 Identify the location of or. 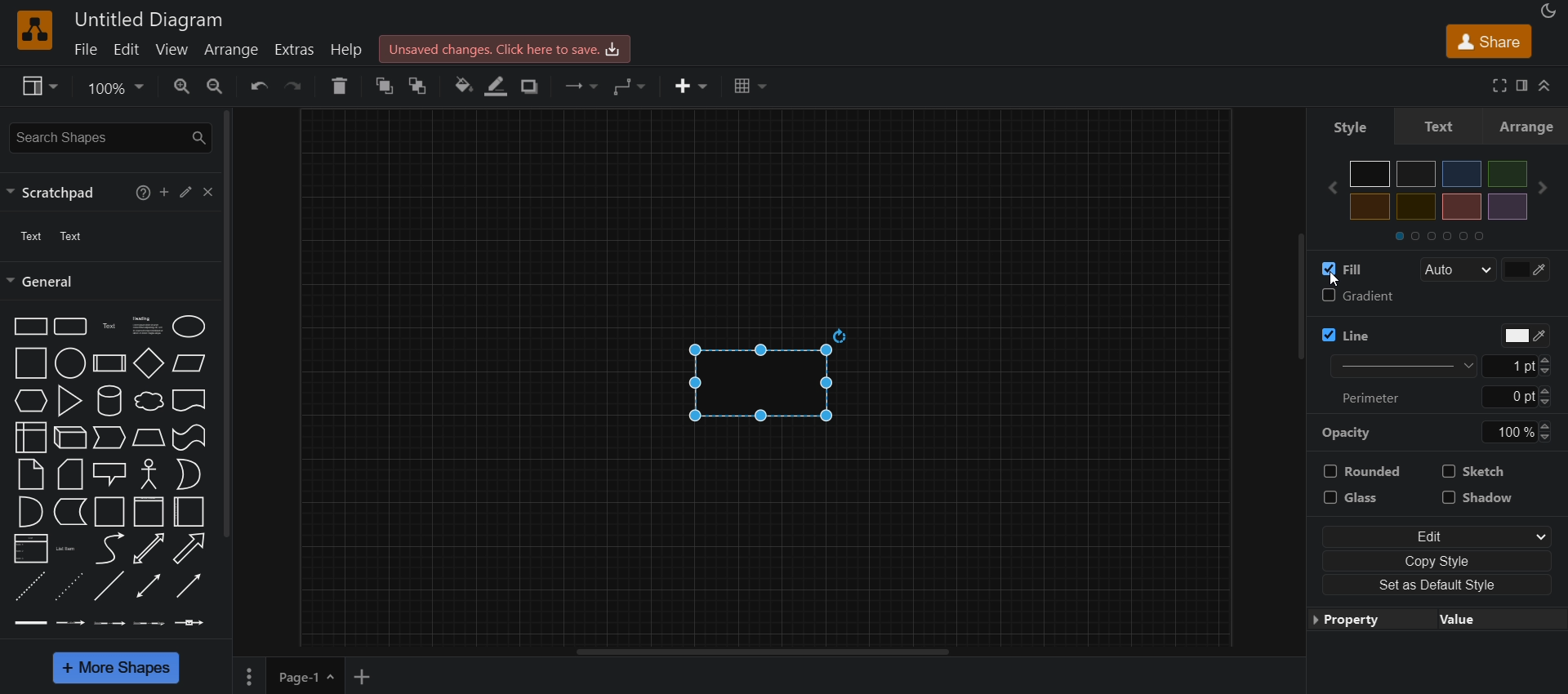
(188, 476).